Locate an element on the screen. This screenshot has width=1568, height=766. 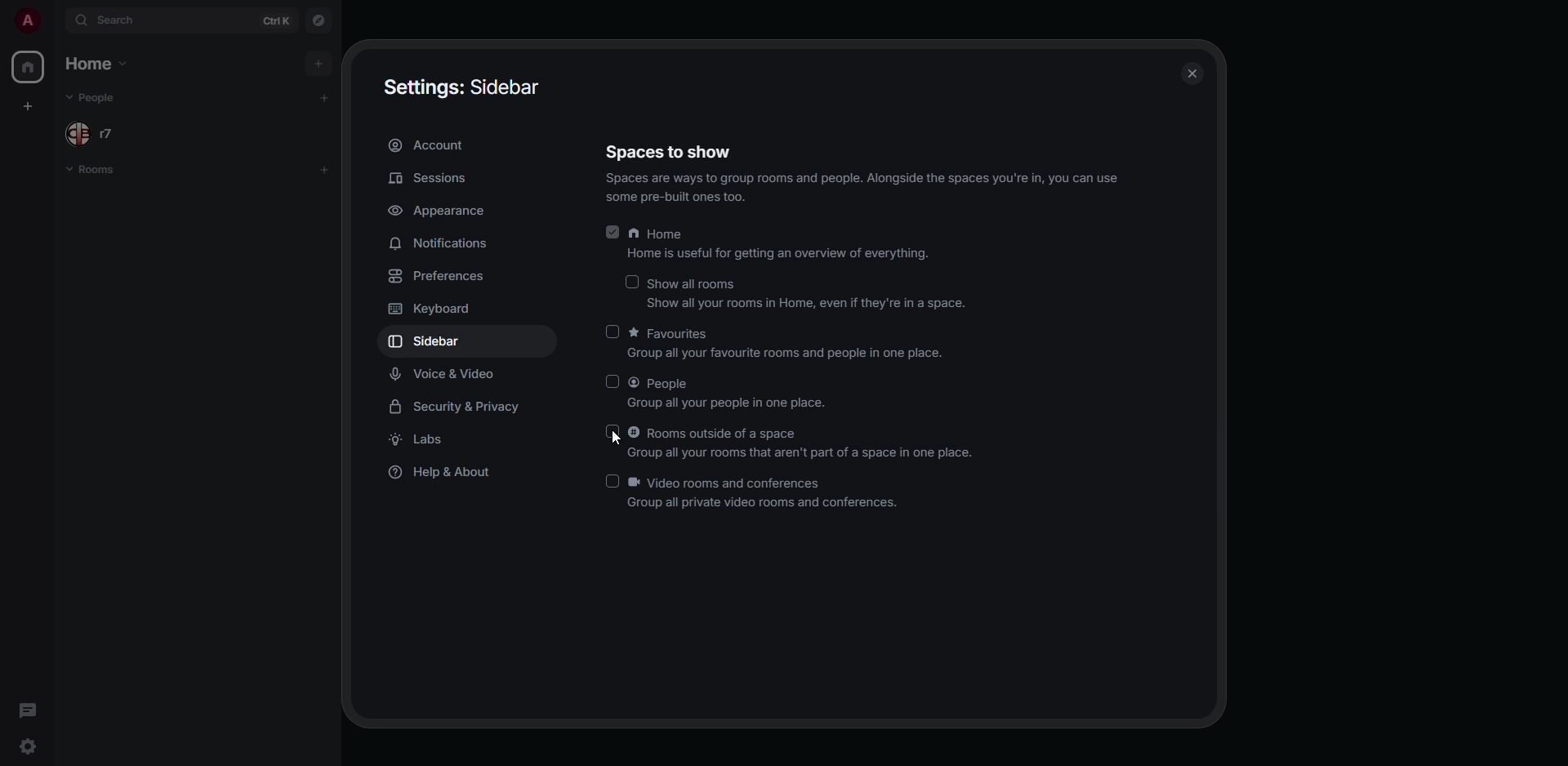
sidebar is located at coordinates (433, 339).